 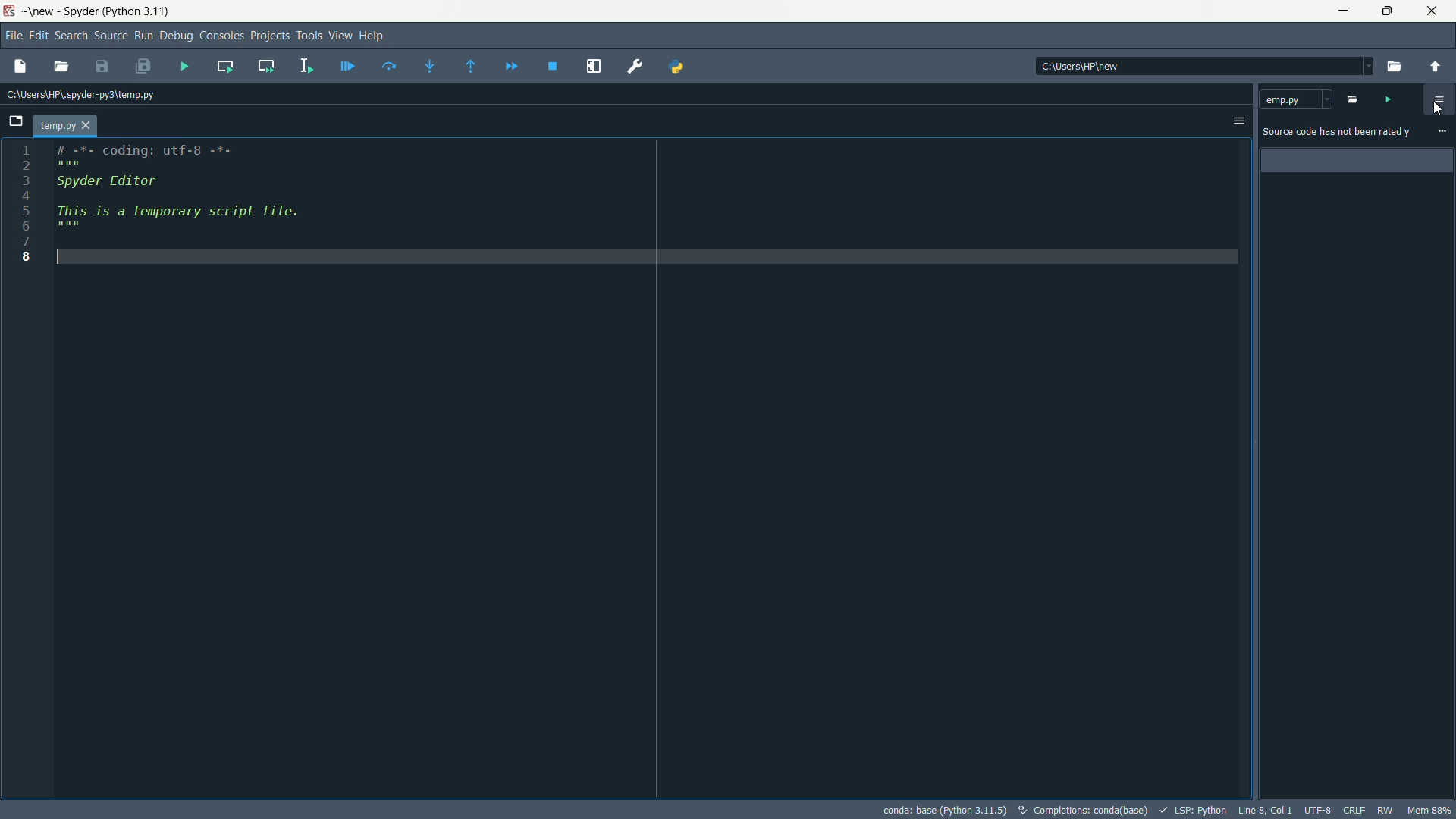 I want to click on 1, so click(x=28, y=148).